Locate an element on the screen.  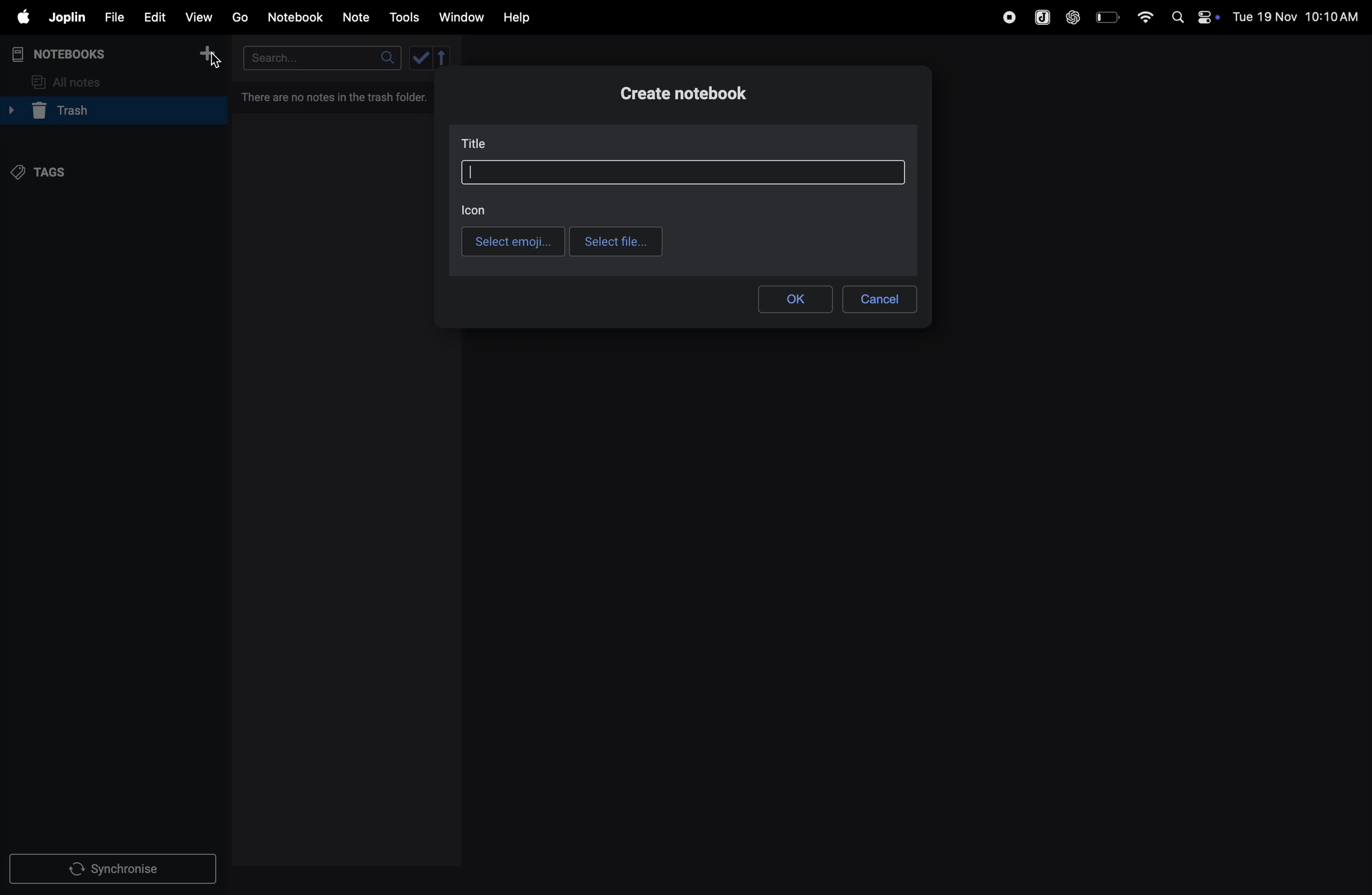
go is located at coordinates (240, 18).